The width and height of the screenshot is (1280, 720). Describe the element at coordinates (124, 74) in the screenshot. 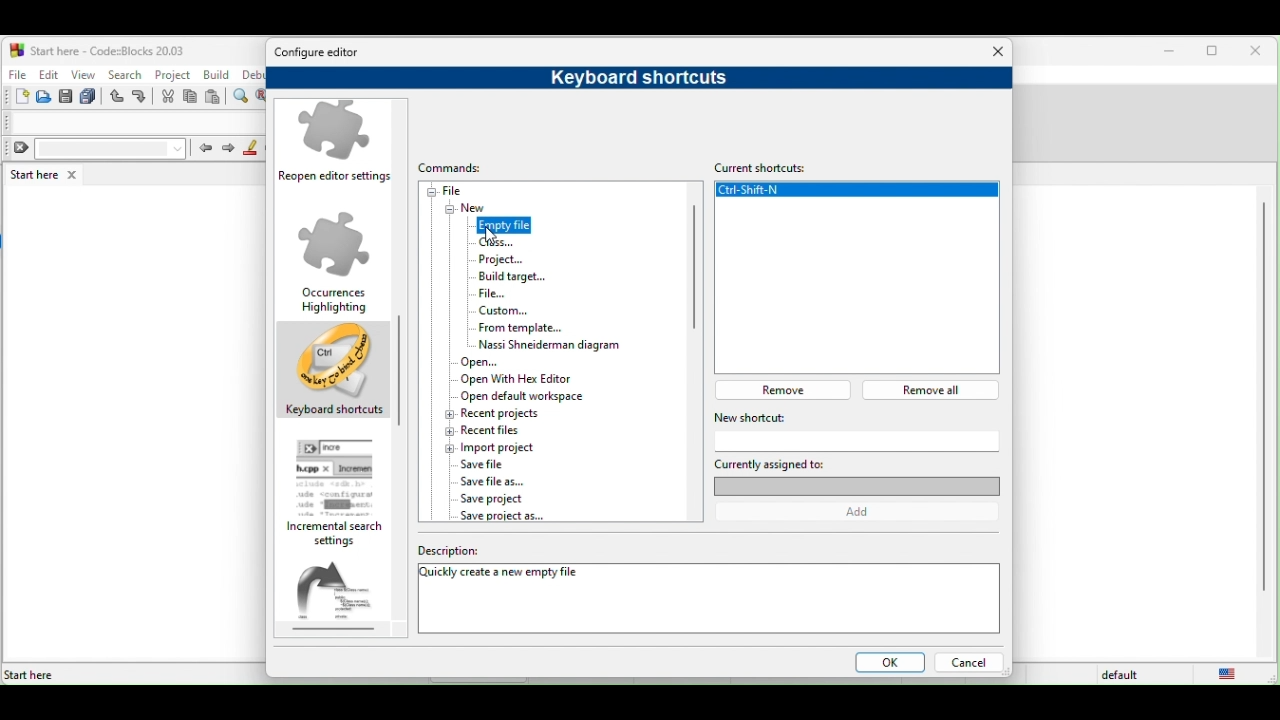

I see `search` at that location.